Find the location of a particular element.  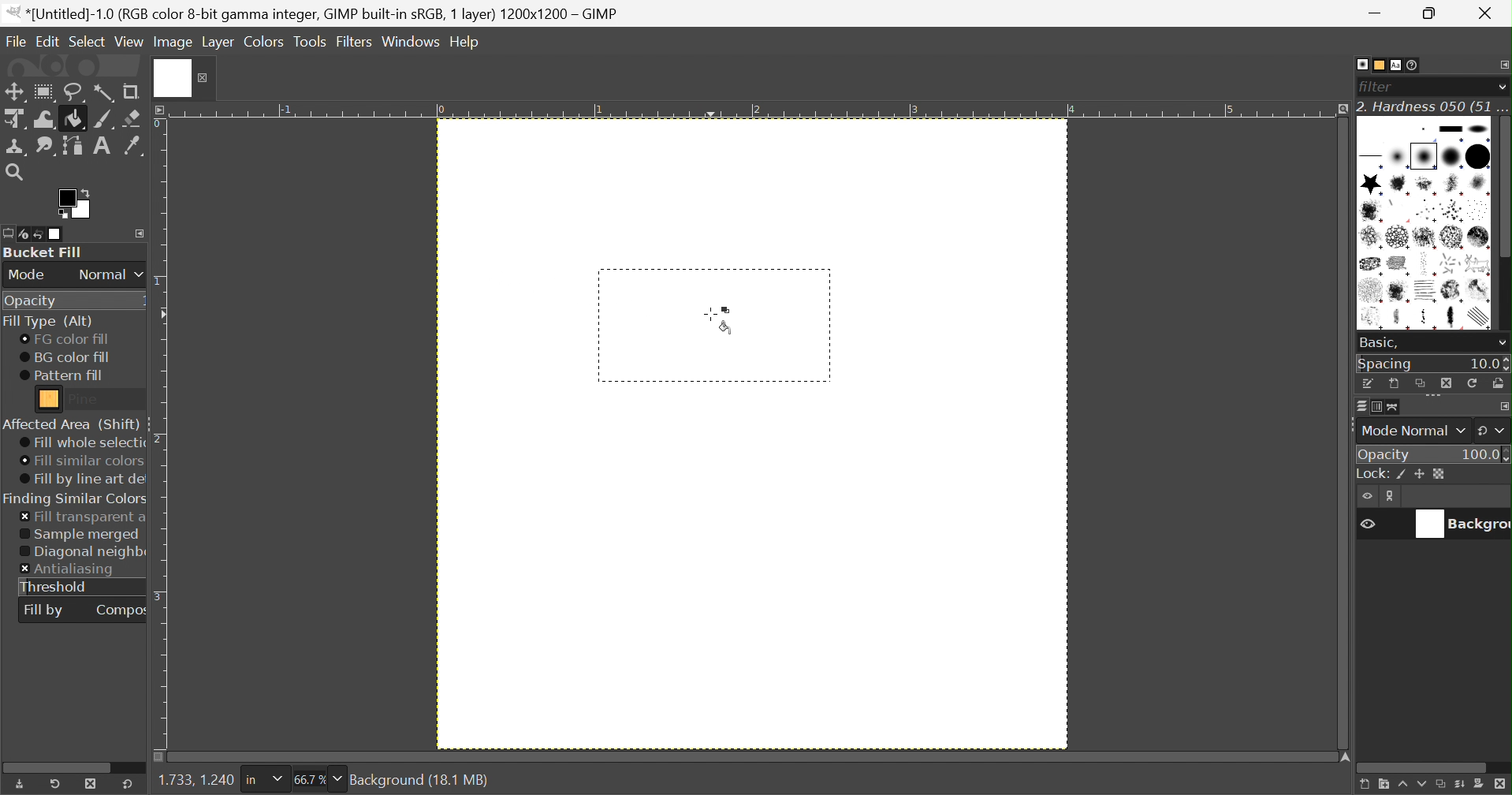

Oils is located at coordinates (1372, 318).